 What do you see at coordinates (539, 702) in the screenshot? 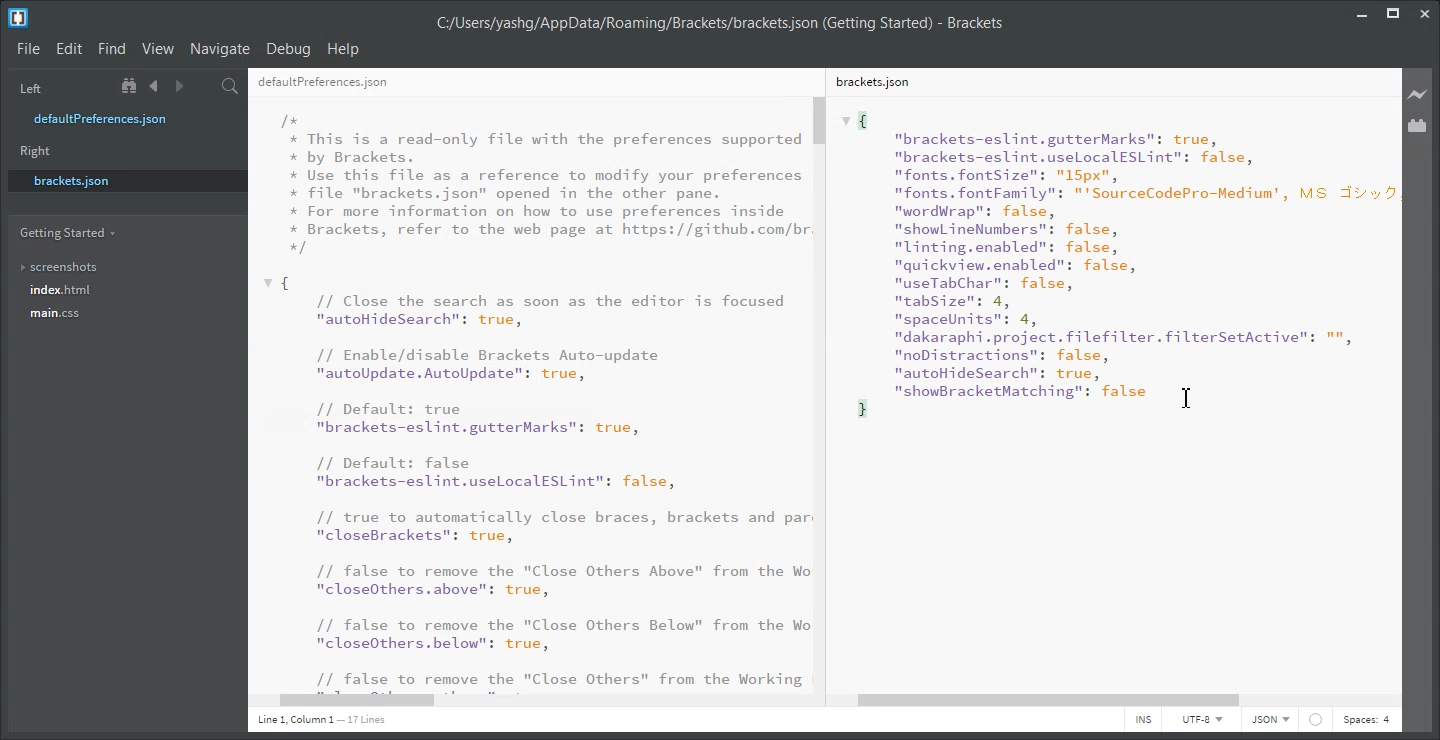
I see `Horizontal Scroll Bar` at bounding box center [539, 702].